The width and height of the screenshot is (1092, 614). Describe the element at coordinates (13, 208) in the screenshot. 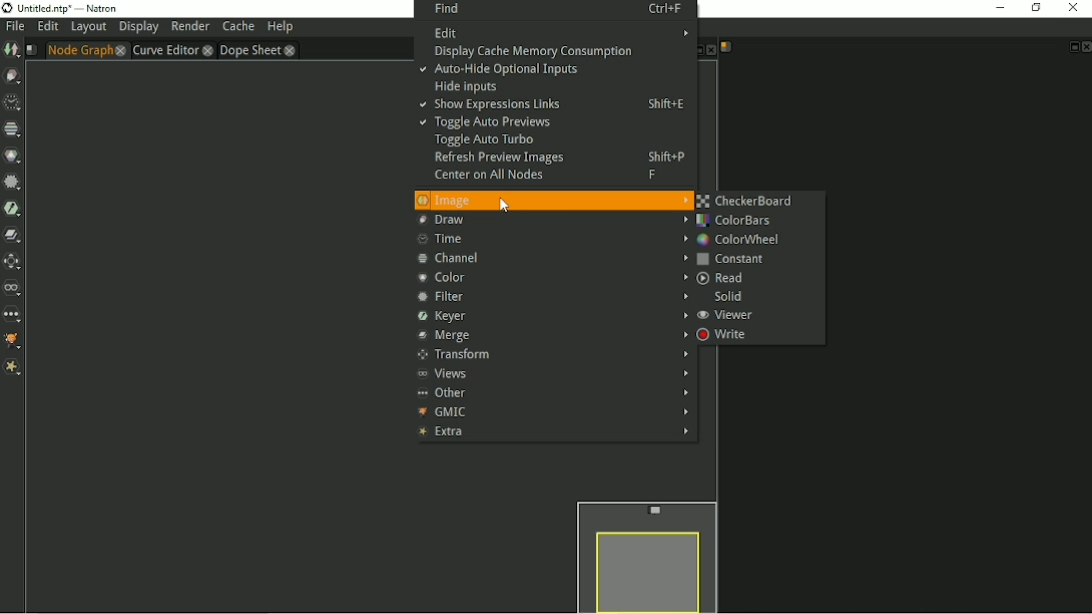

I see `Keyer` at that location.